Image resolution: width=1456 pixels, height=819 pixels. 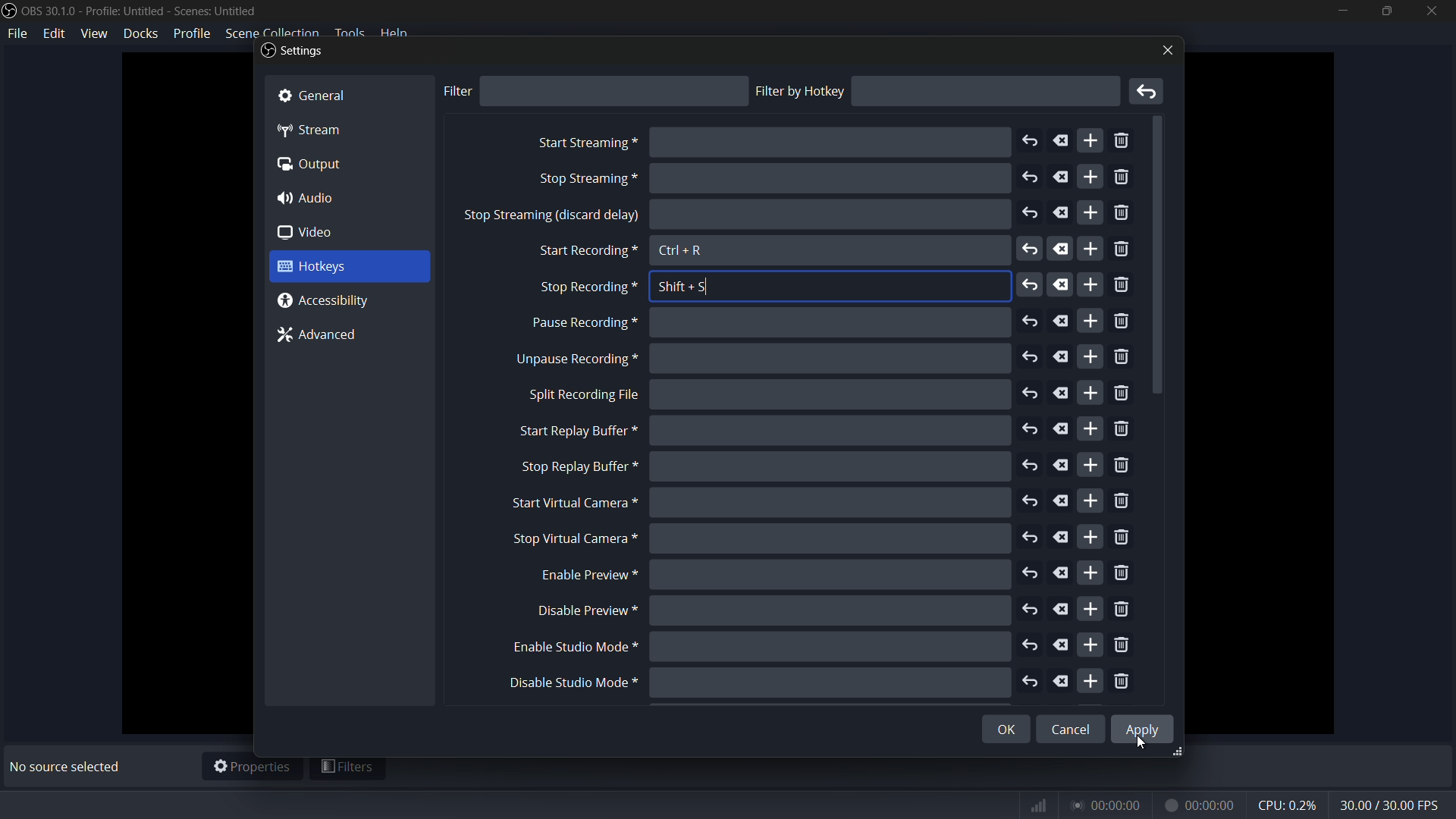 I want to click on remove, so click(x=1122, y=682).